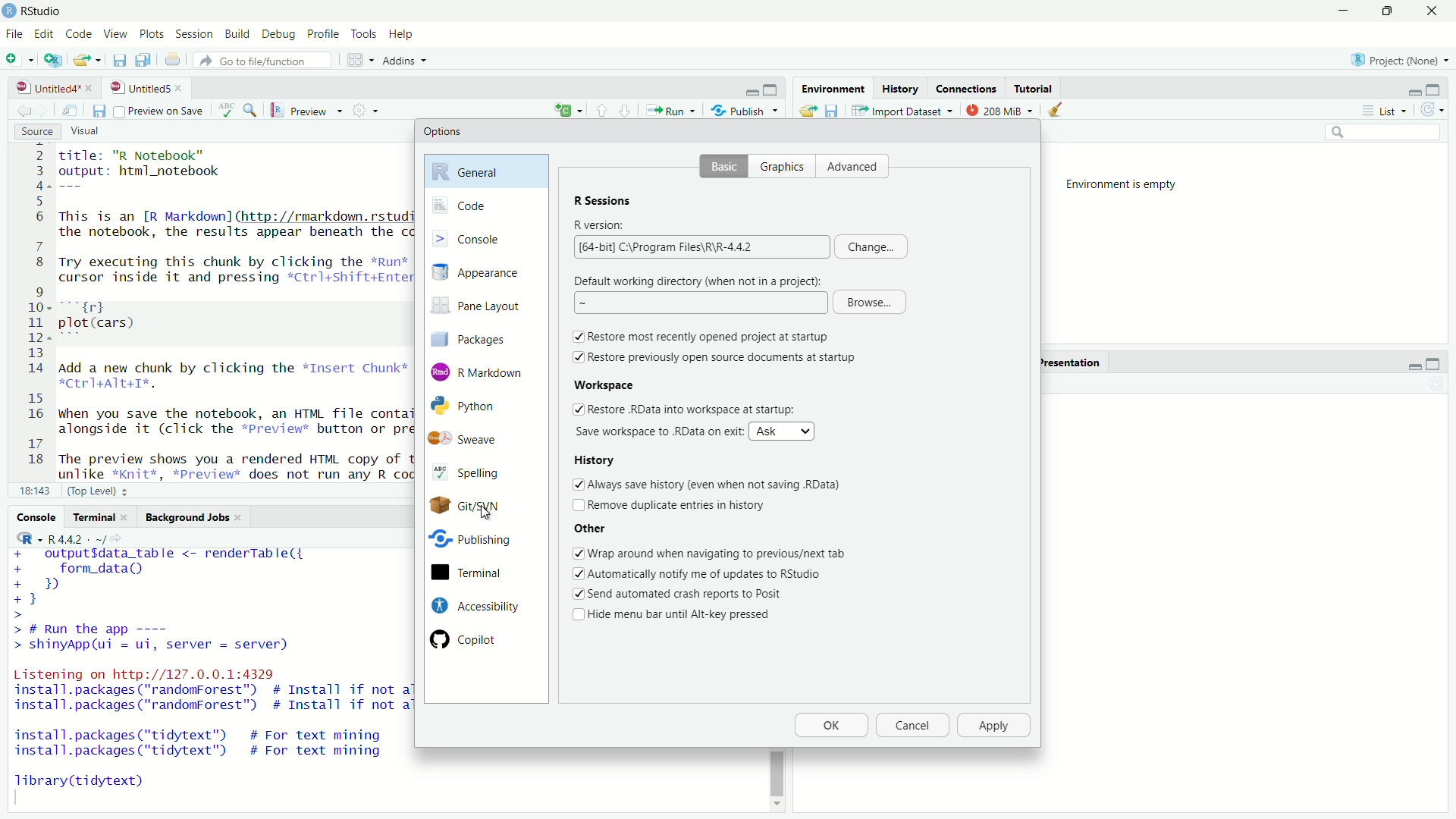 This screenshot has width=1456, height=819. What do you see at coordinates (14, 33) in the screenshot?
I see `File` at bounding box center [14, 33].